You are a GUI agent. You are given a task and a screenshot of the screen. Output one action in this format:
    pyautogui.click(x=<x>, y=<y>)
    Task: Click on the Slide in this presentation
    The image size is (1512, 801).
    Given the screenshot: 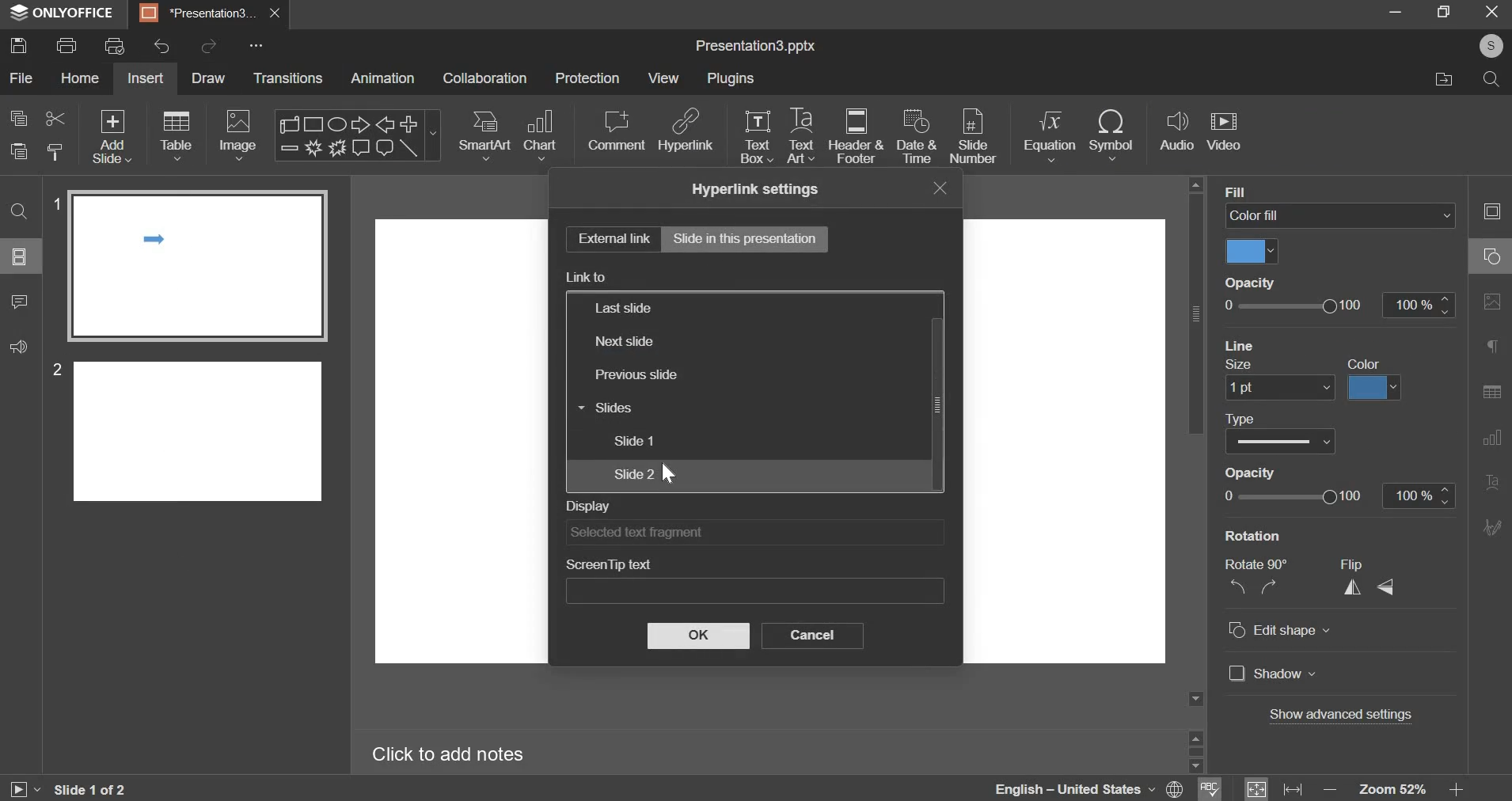 What is the action you would take?
    pyautogui.click(x=750, y=241)
    